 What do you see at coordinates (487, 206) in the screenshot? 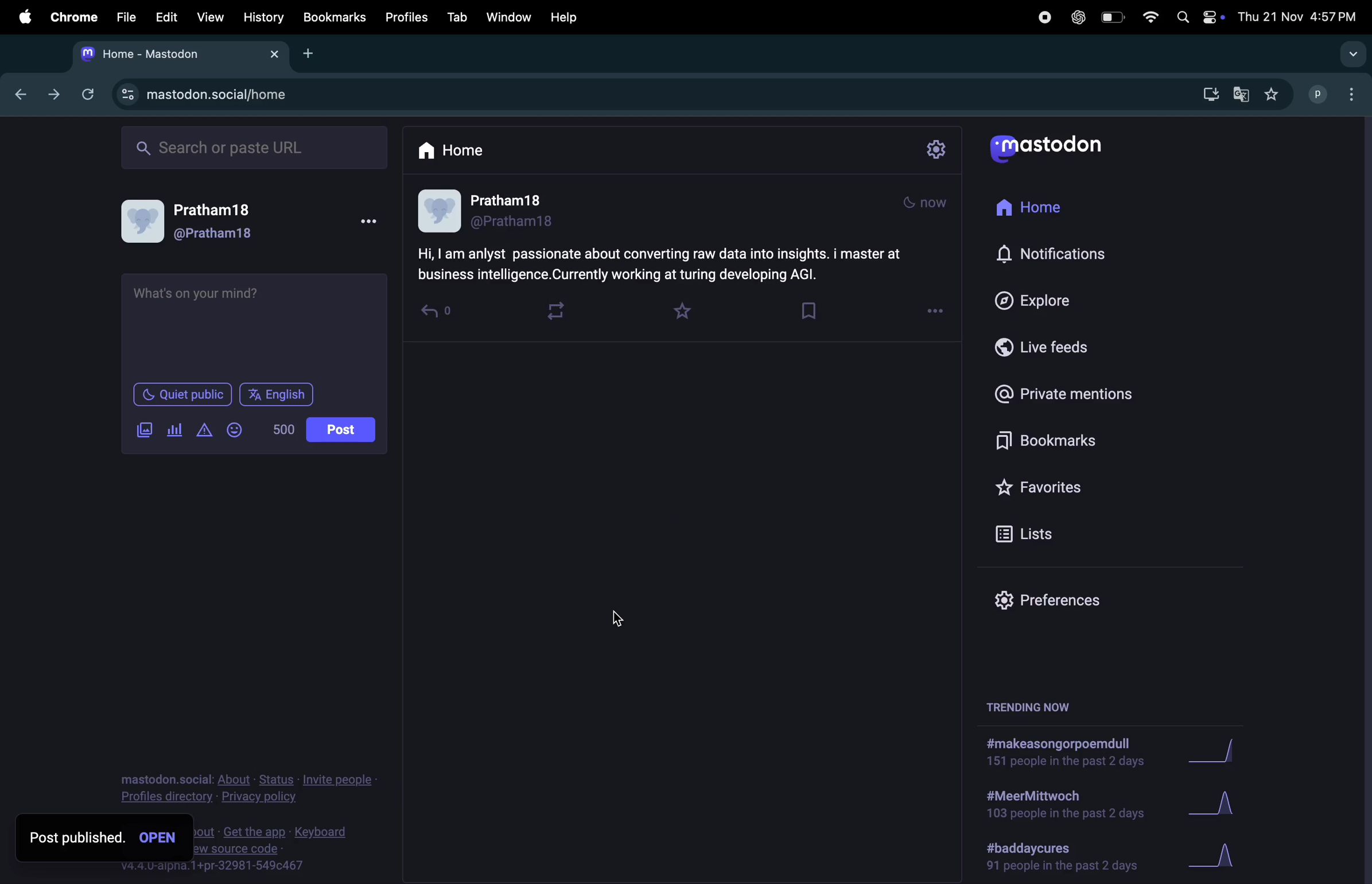
I see `profile` at bounding box center [487, 206].